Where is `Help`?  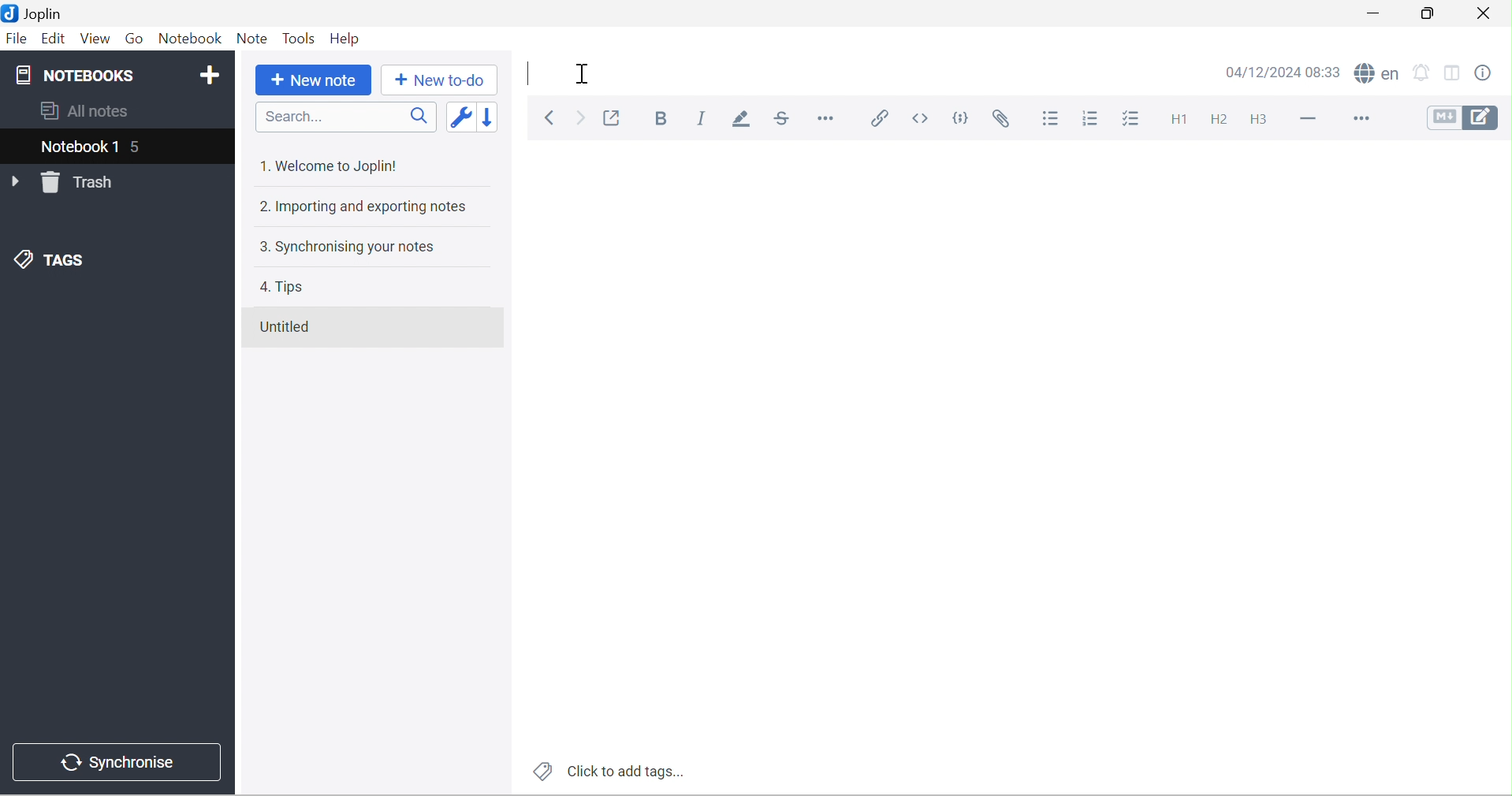
Help is located at coordinates (346, 39).